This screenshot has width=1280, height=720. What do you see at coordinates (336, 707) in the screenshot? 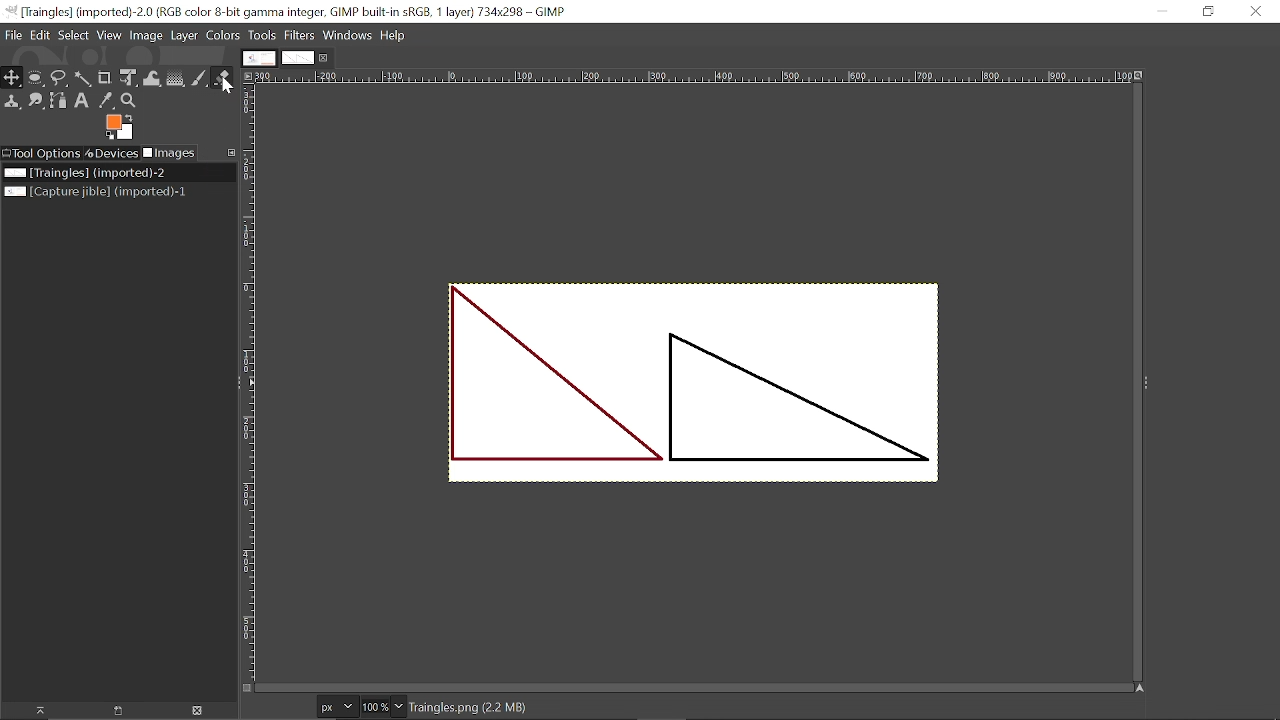
I see `Current image units` at bounding box center [336, 707].